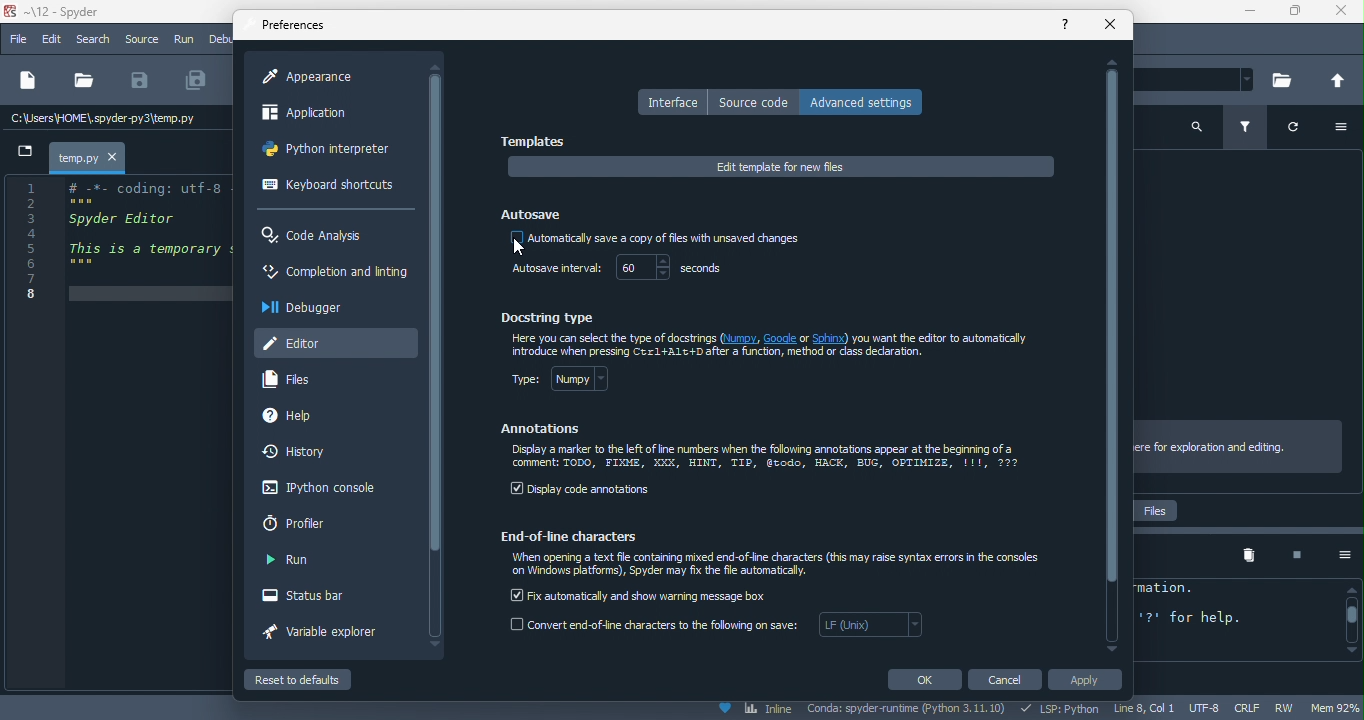 The width and height of the screenshot is (1364, 720). What do you see at coordinates (301, 453) in the screenshot?
I see `history` at bounding box center [301, 453].